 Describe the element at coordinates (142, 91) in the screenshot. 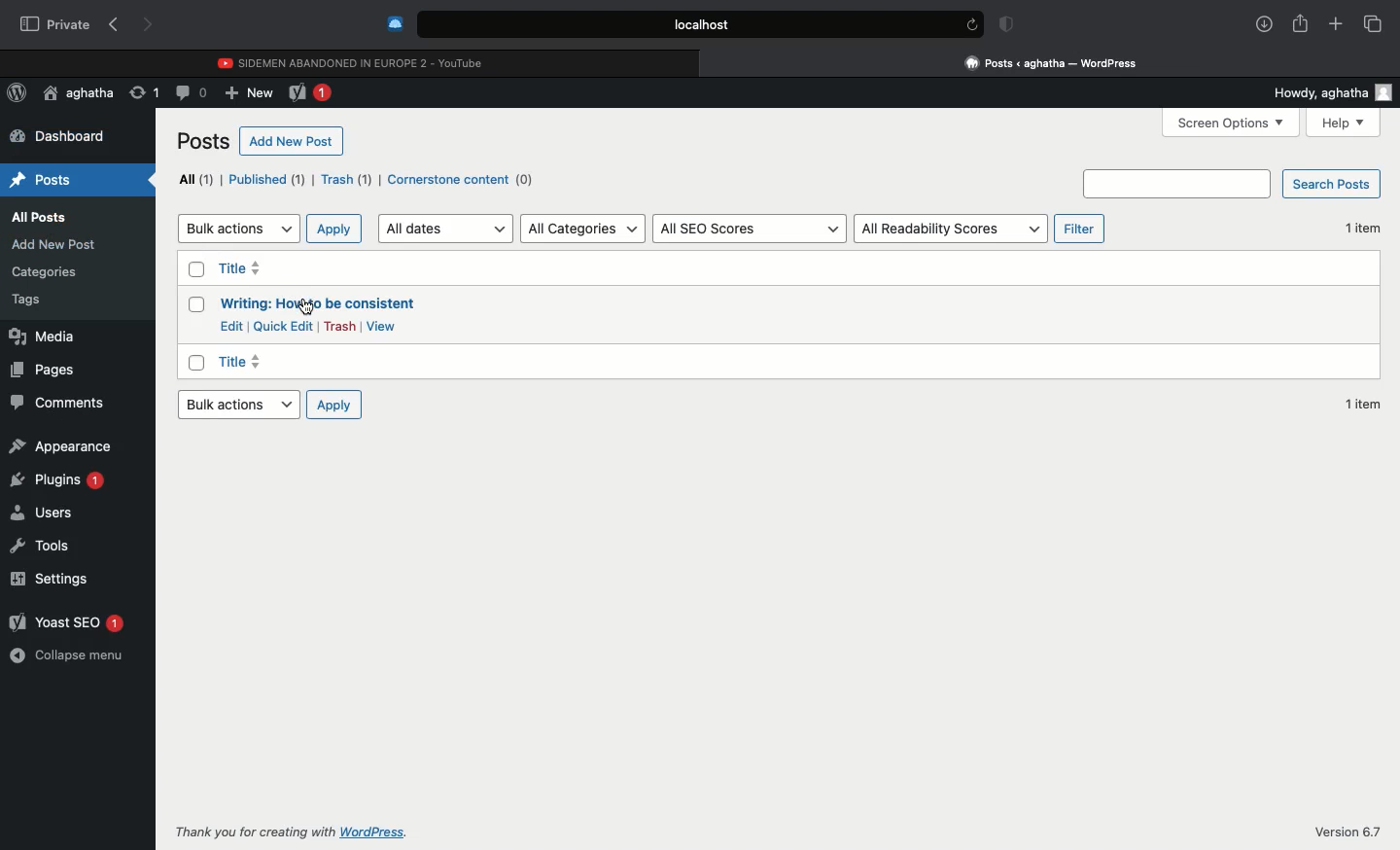

I see `Update` at that location.